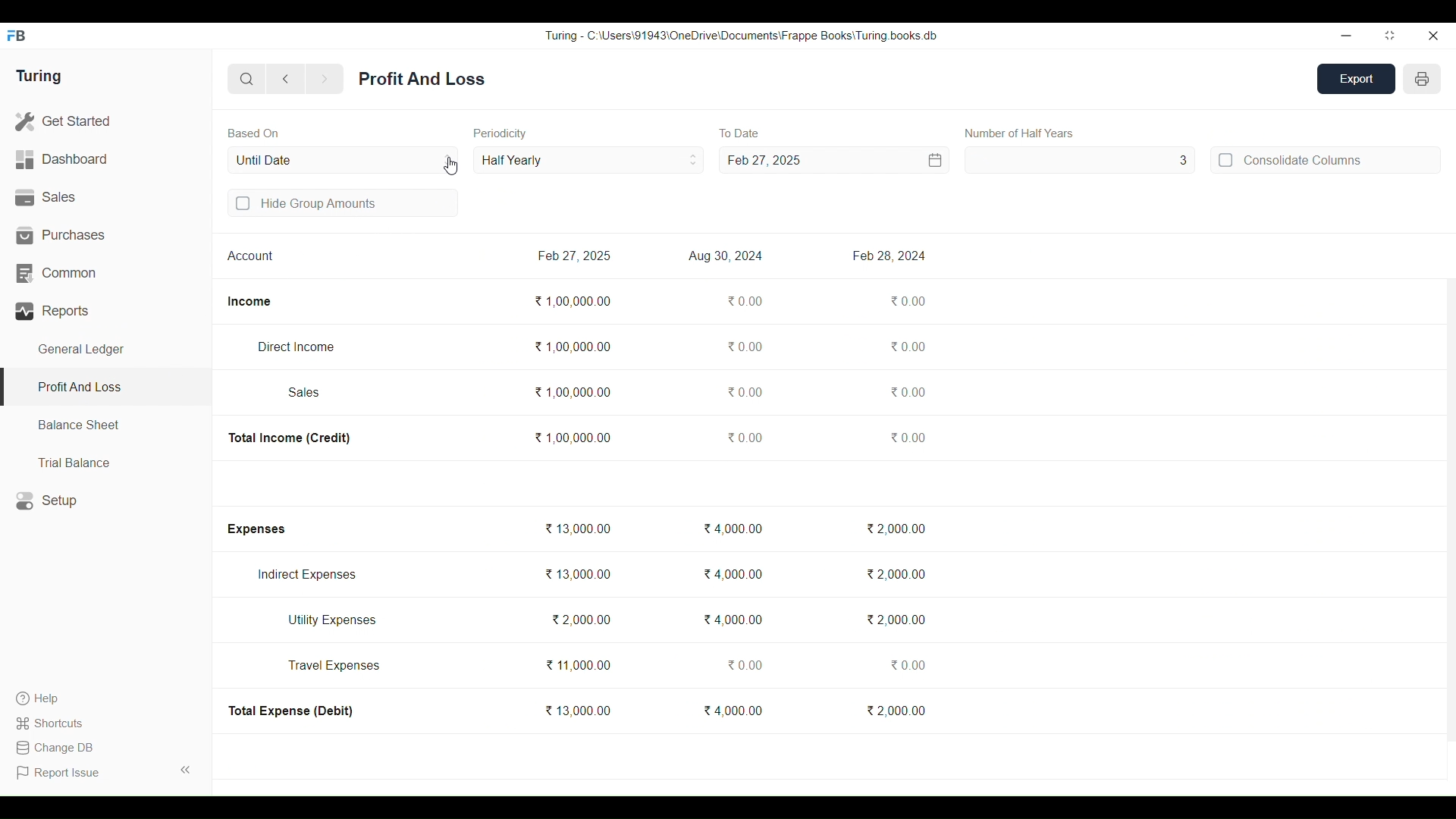 This screenshot has height=819, width=1456. What do you see at coordinates (573, 392) in the screenshot?
I see `1,00,000.00` at bounding box center [573, 392].